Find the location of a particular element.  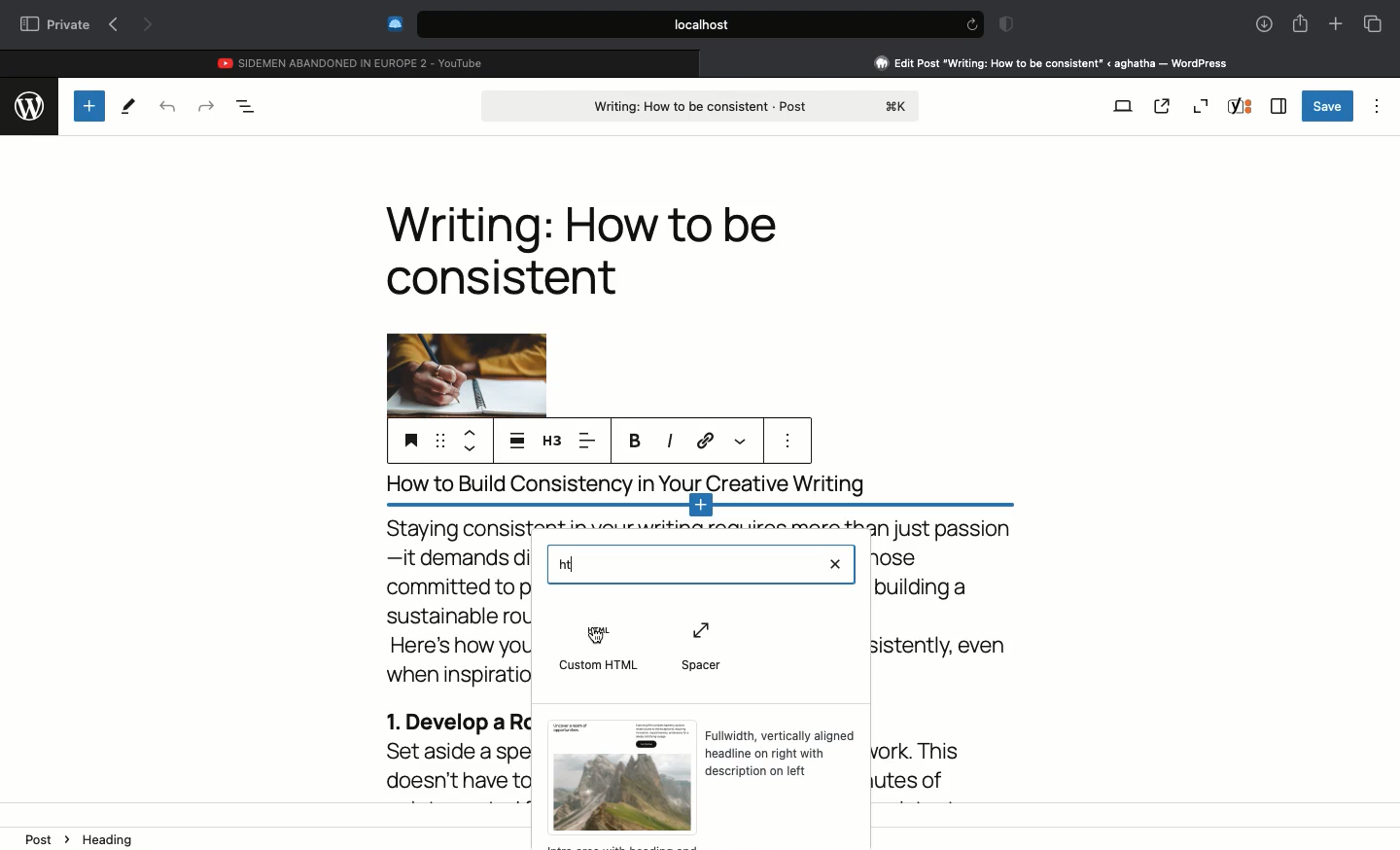

Add new block is located at coordinates (694, 507).